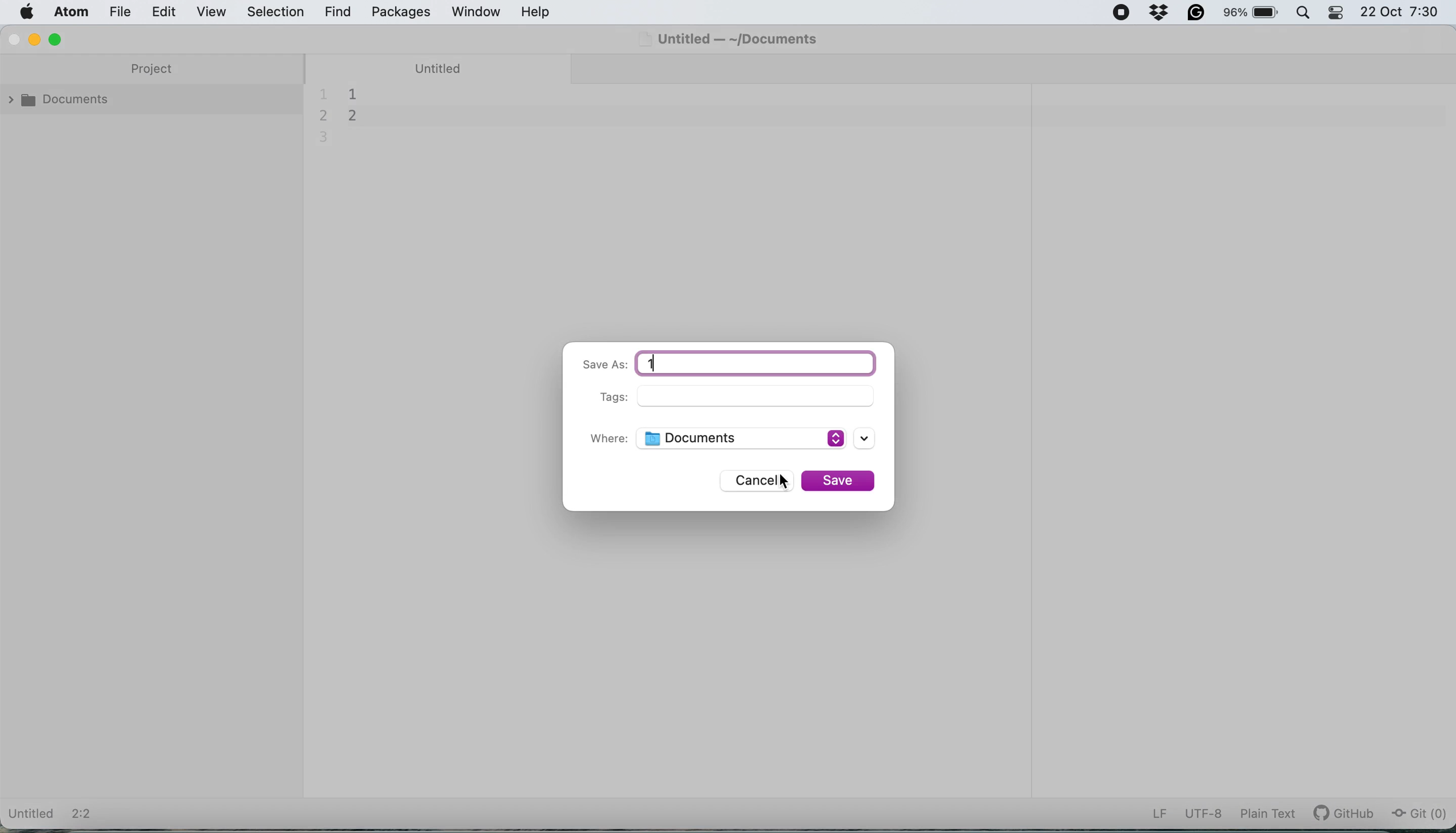  What do you see at coordinates (1418, 814) in the screenshot?
I see `git (0)` at bounding box center [1418, 814].